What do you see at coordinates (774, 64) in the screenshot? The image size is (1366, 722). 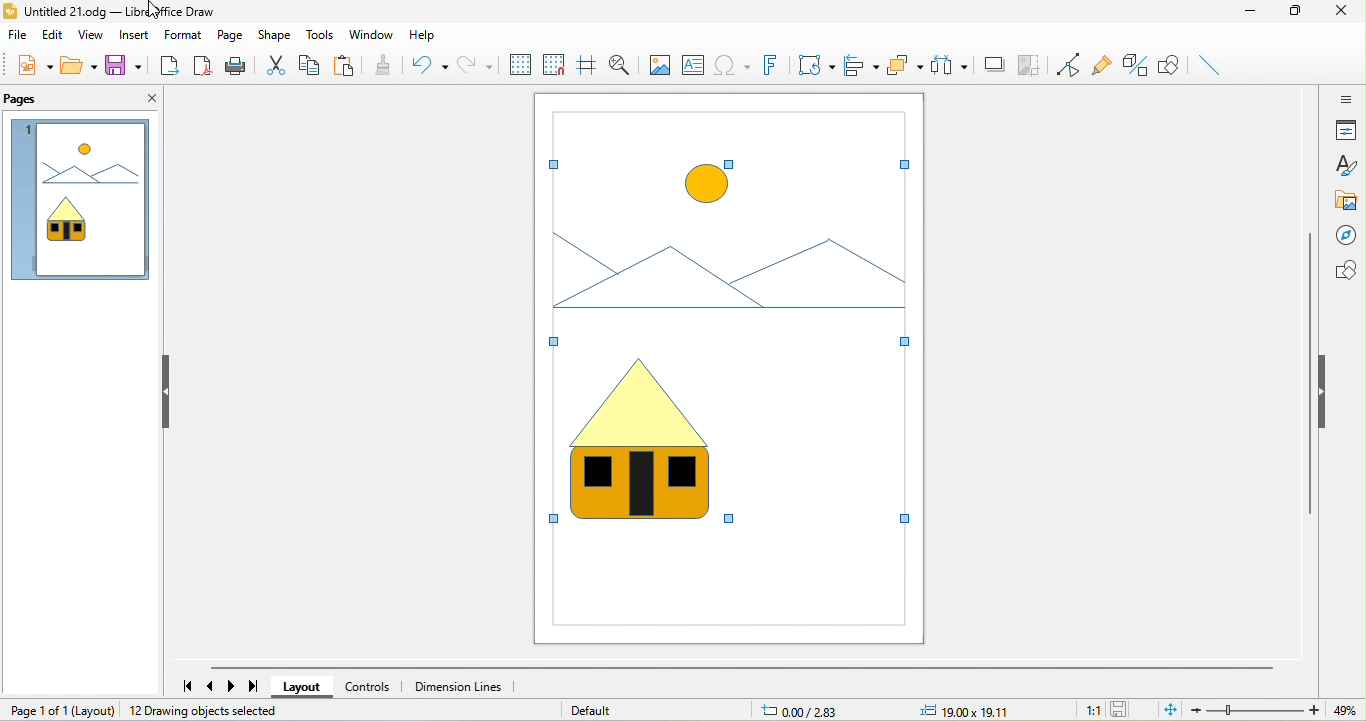 I see `fontwork text` at bounding box center [774, 64].